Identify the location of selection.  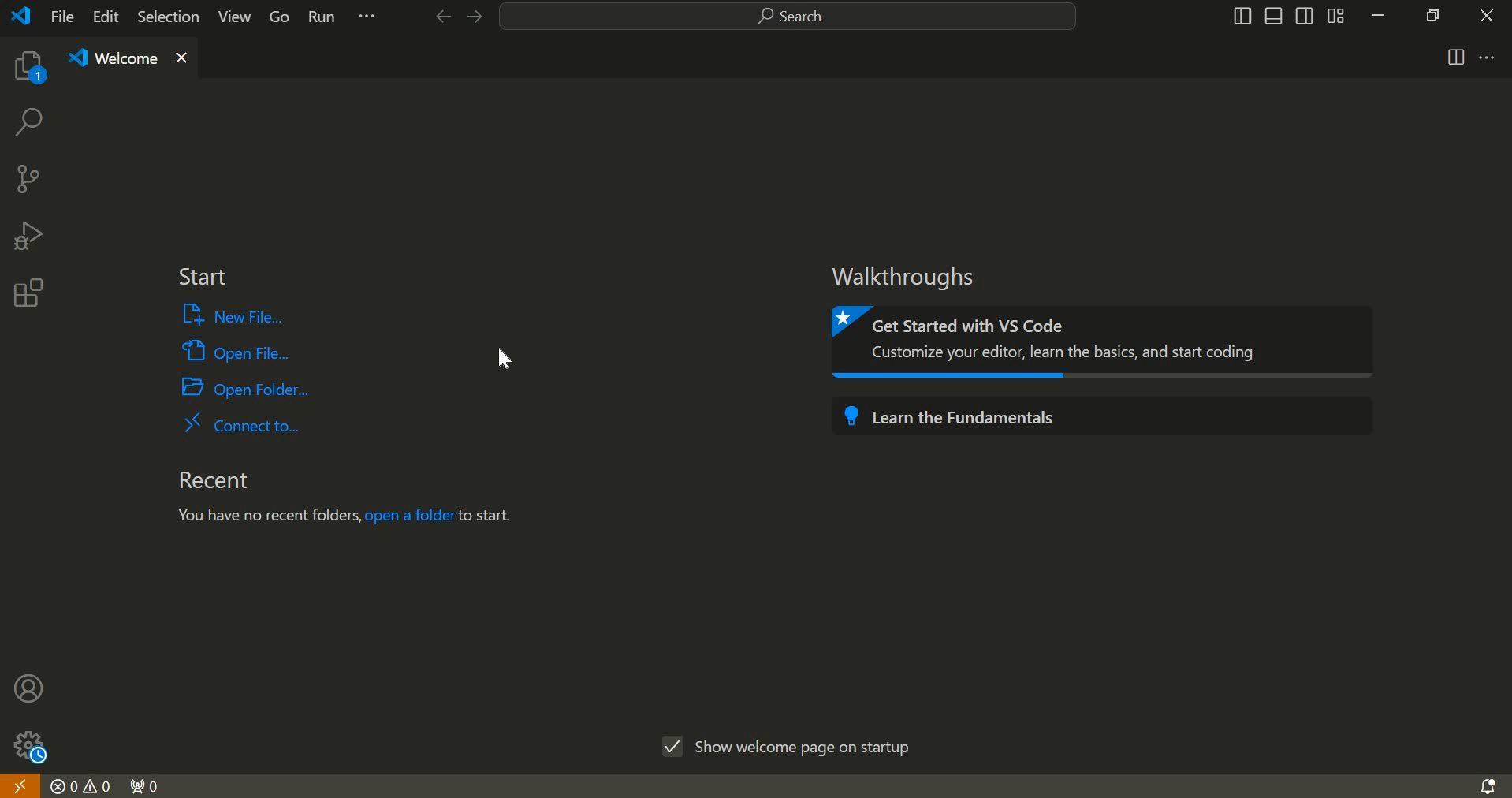
(169, 16).